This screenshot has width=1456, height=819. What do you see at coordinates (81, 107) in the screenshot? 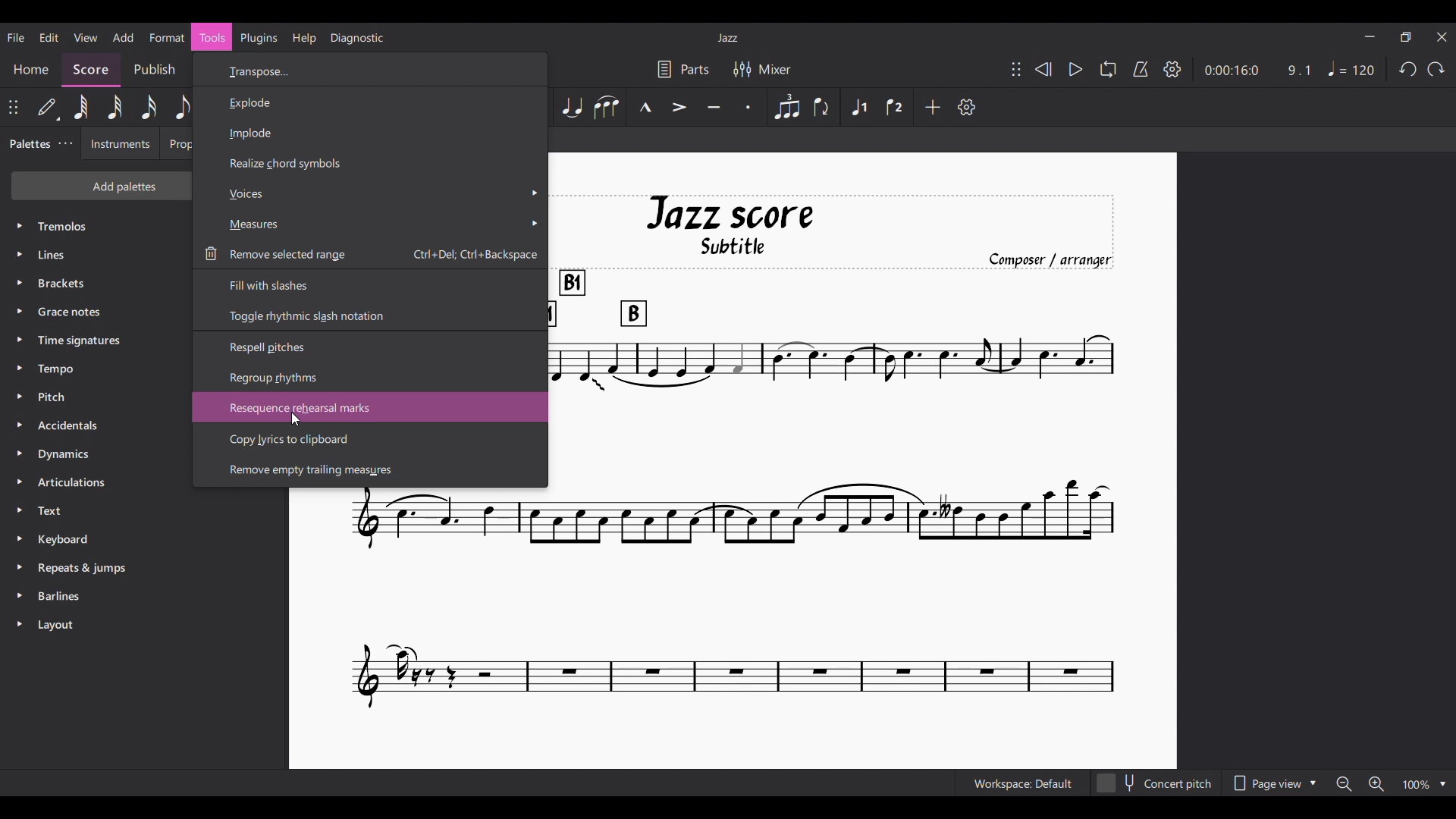
I see `64th note` at bounding box center [81, 107].